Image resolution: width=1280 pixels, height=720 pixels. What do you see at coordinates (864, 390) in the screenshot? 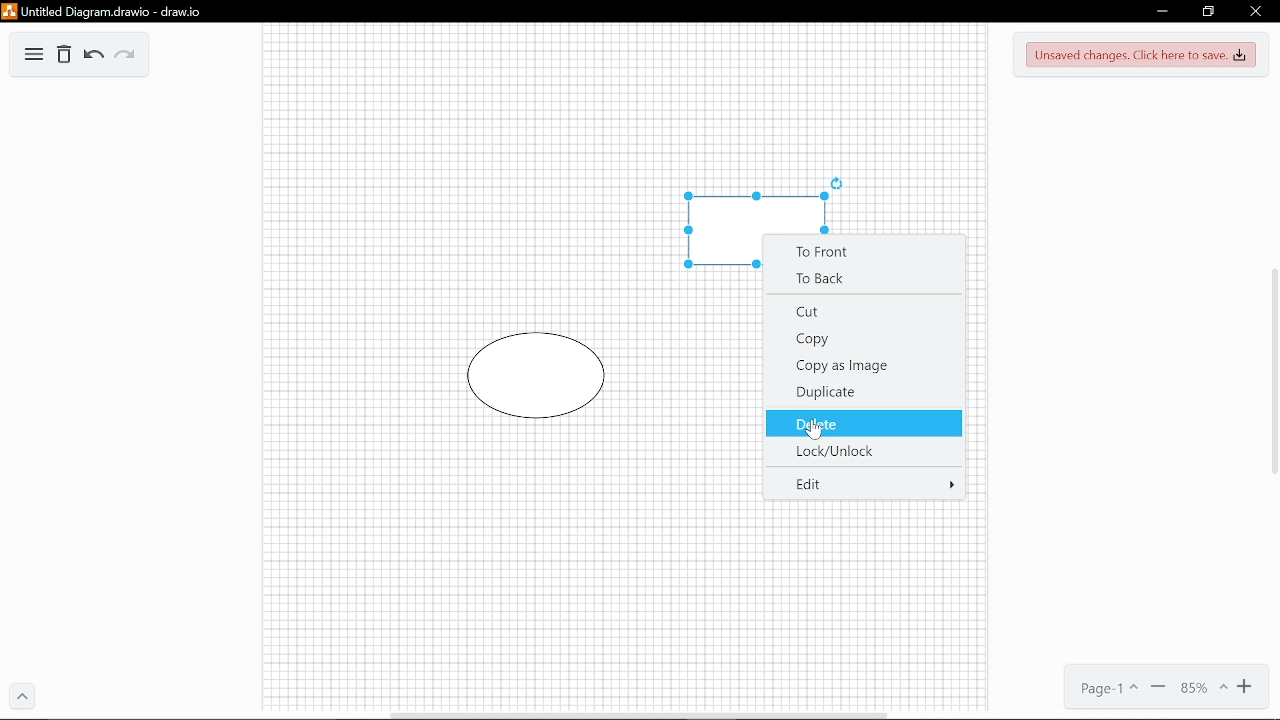
I see `Duplicate` at bounding box center [864, 390].